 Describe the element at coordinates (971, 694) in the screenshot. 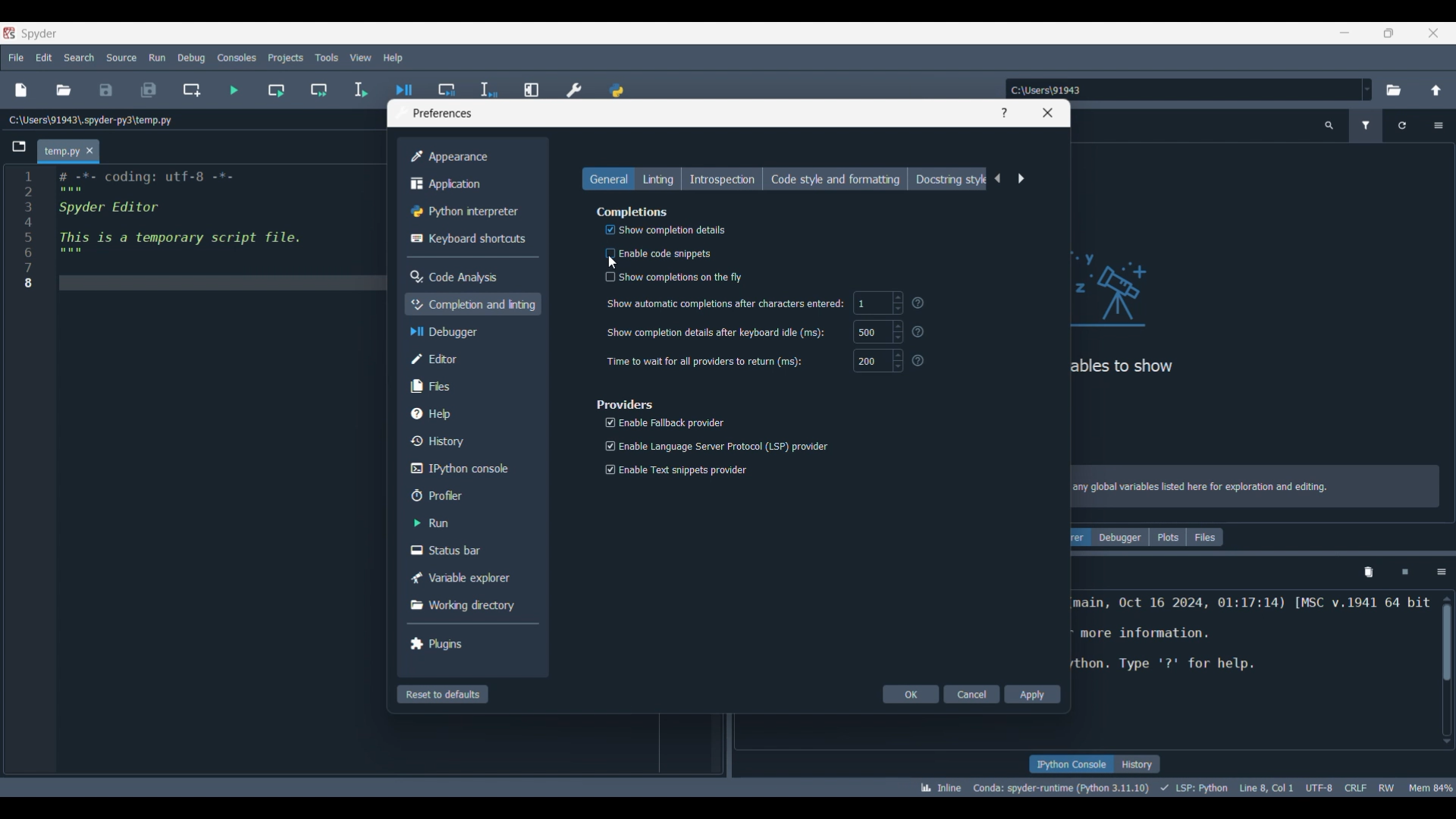

I see `Cancel` at that location.